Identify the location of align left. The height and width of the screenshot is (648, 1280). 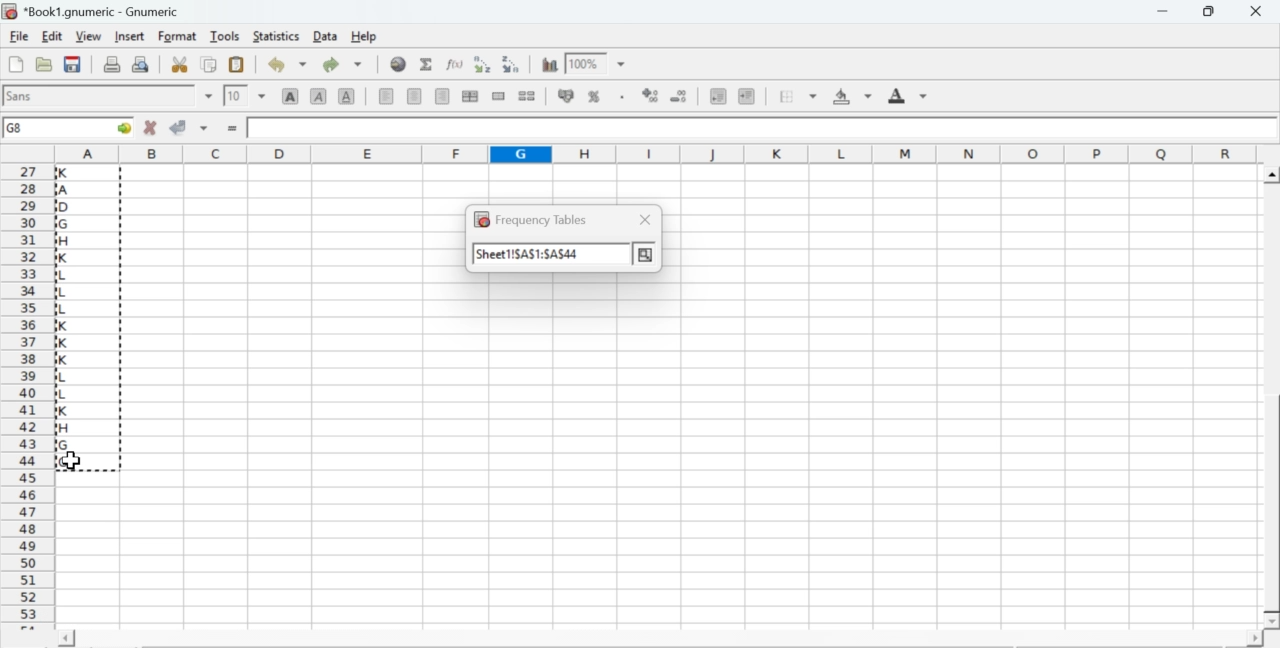
(386, 94).